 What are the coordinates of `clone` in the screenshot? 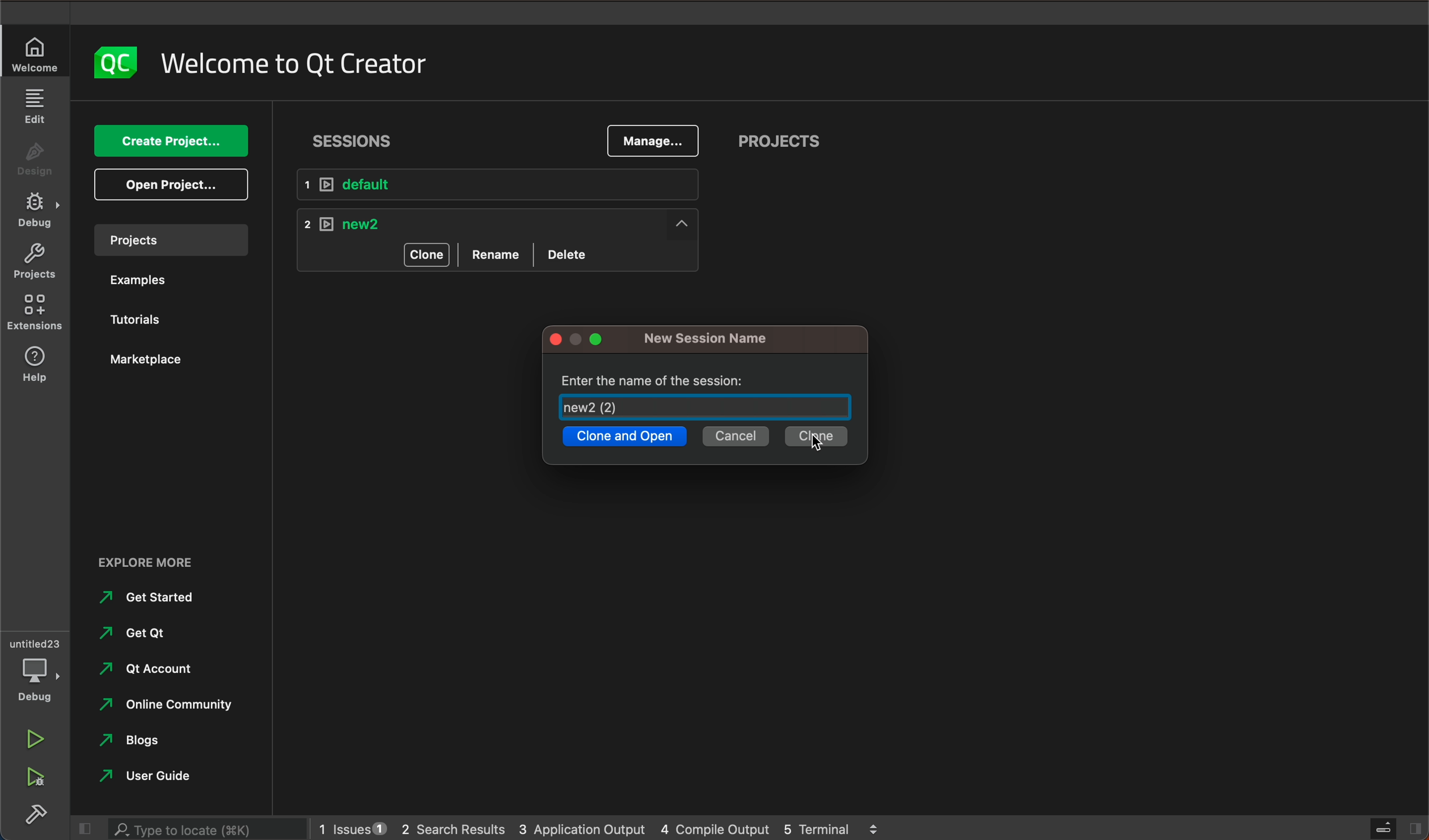 It's located at (818, 438).